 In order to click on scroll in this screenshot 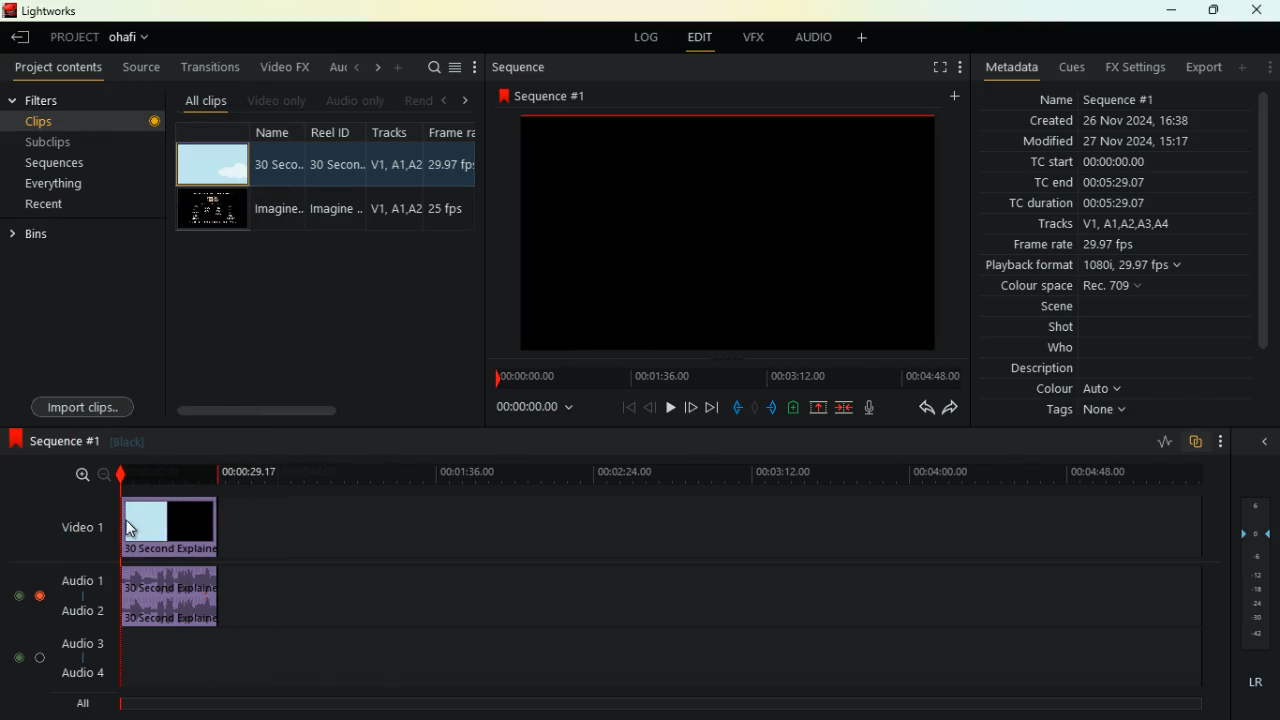, I will do `click(292, 404)`.